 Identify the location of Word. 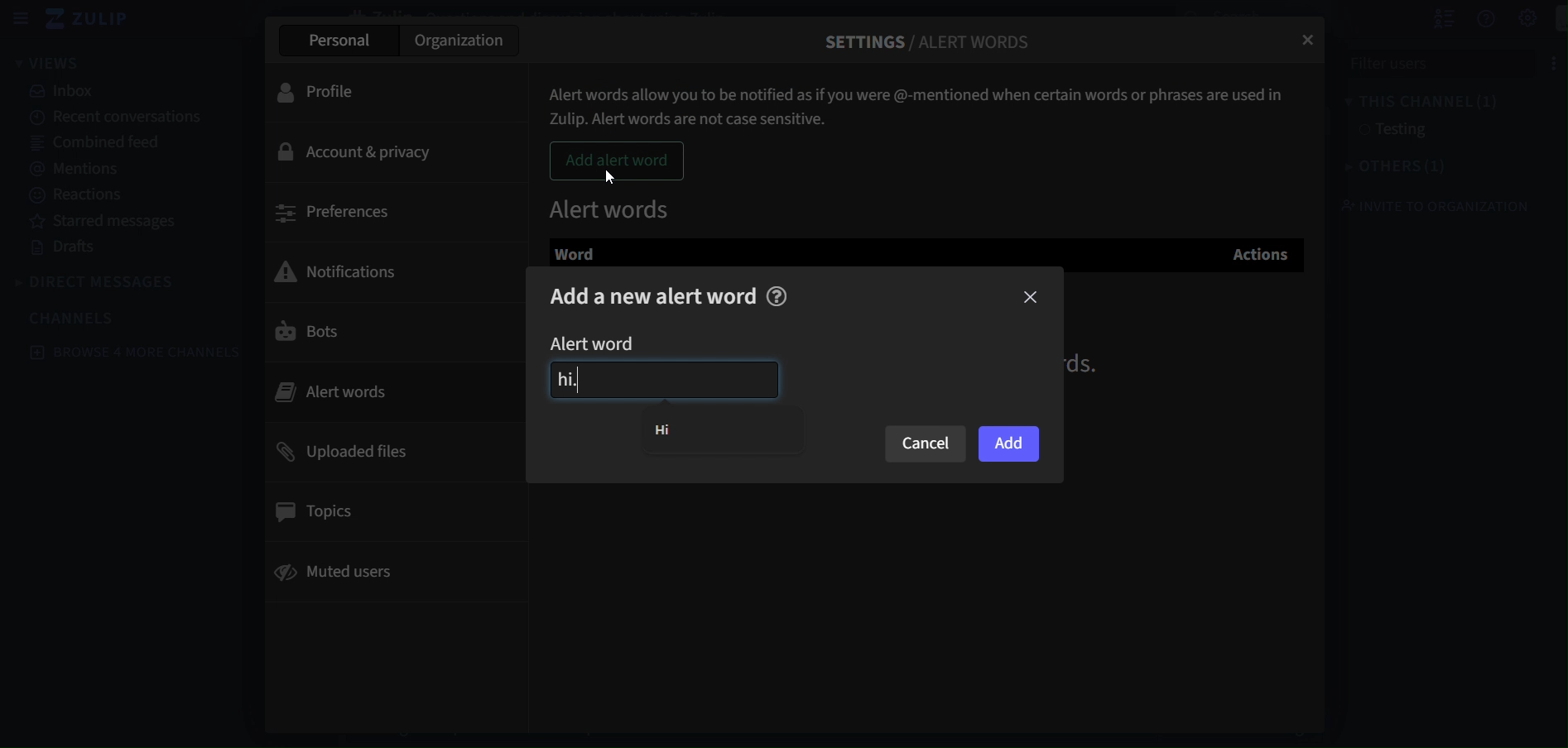
(588, 252).